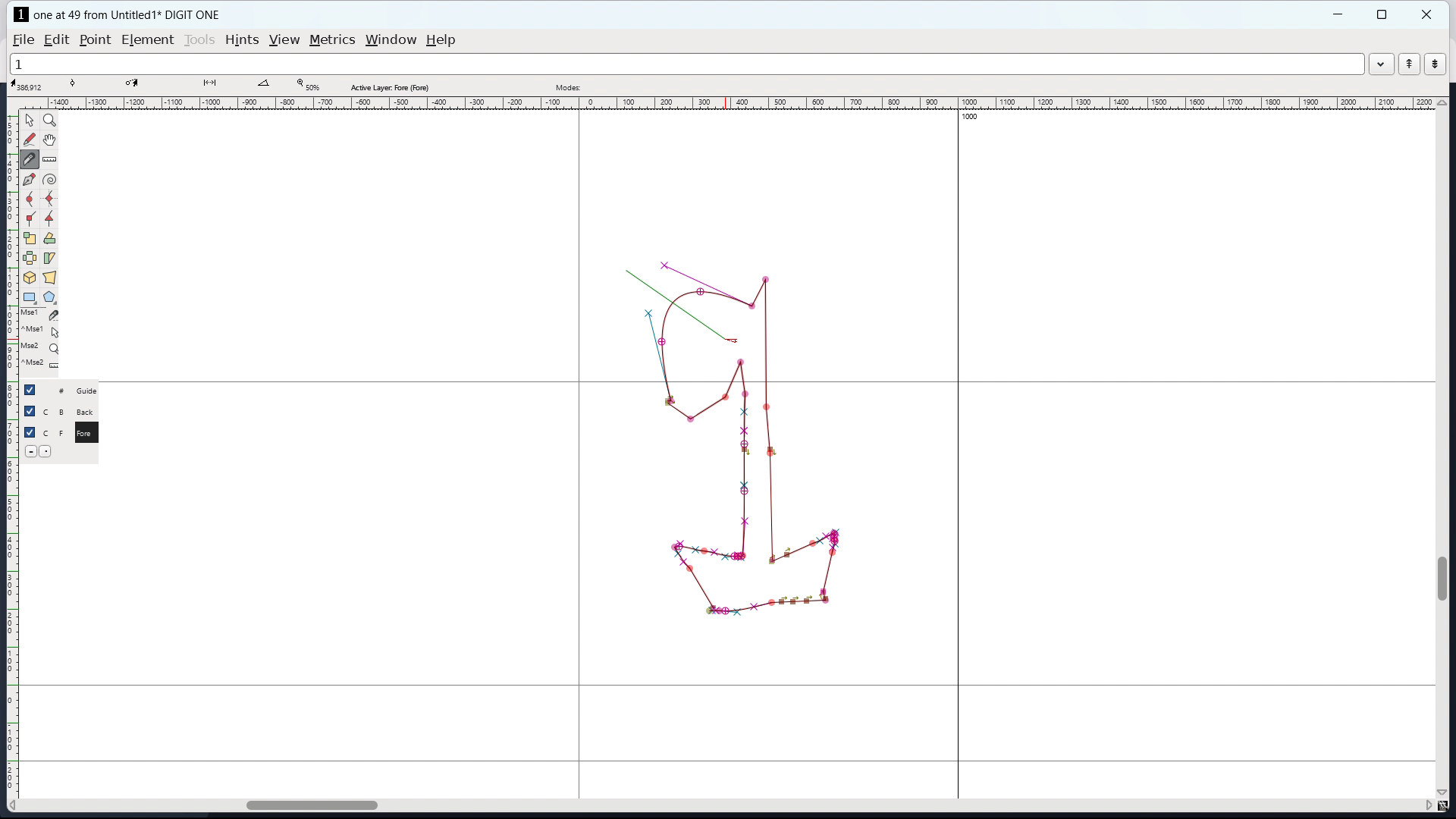 Image resolution: width=1456 pixels, height=819 pixels. I want to click on next word in the current word list, so click(1435, 64).